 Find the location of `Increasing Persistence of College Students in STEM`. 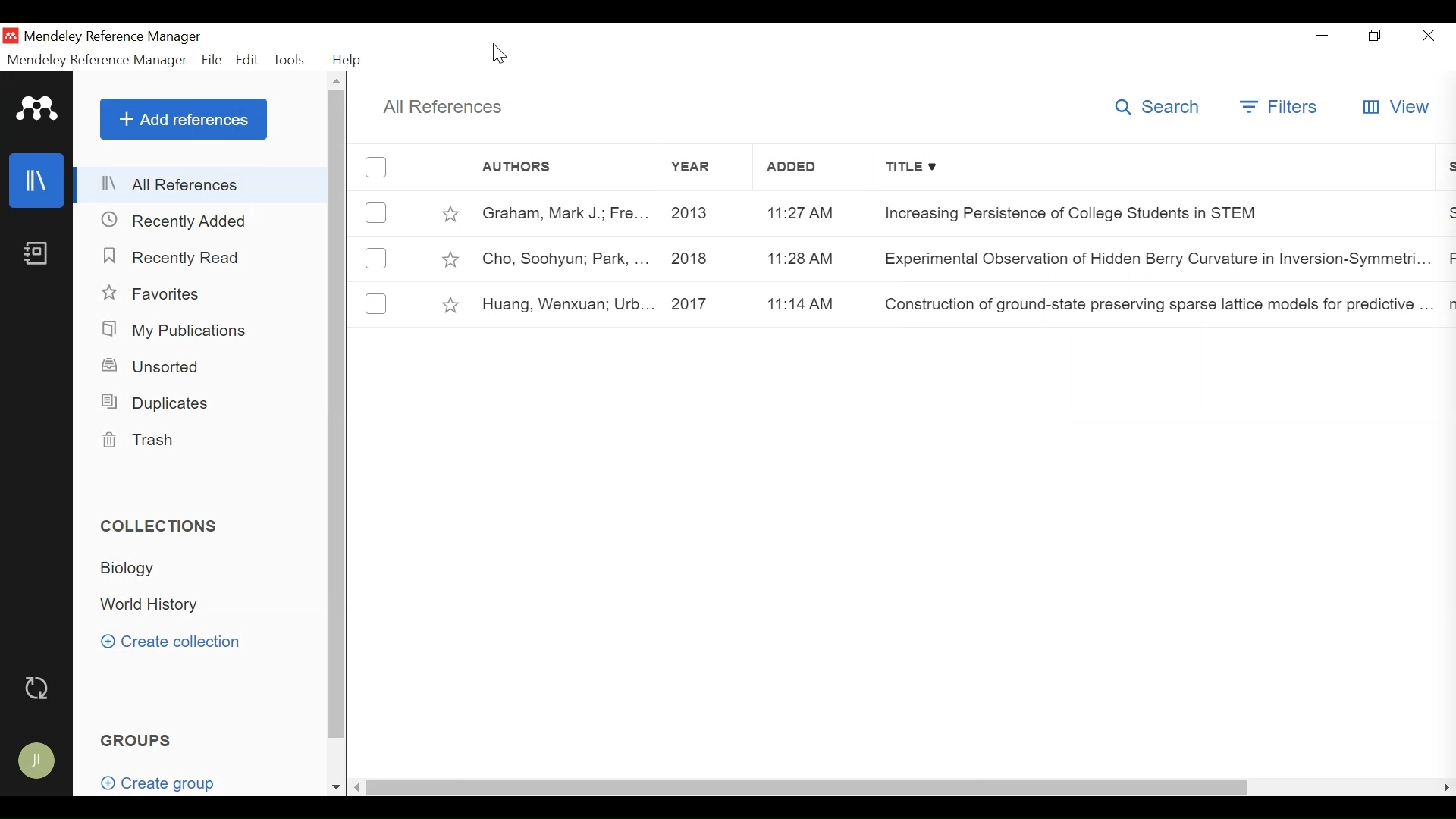

Increasing Persistence of College Students in STEM is located at coordinates (1153, 212).